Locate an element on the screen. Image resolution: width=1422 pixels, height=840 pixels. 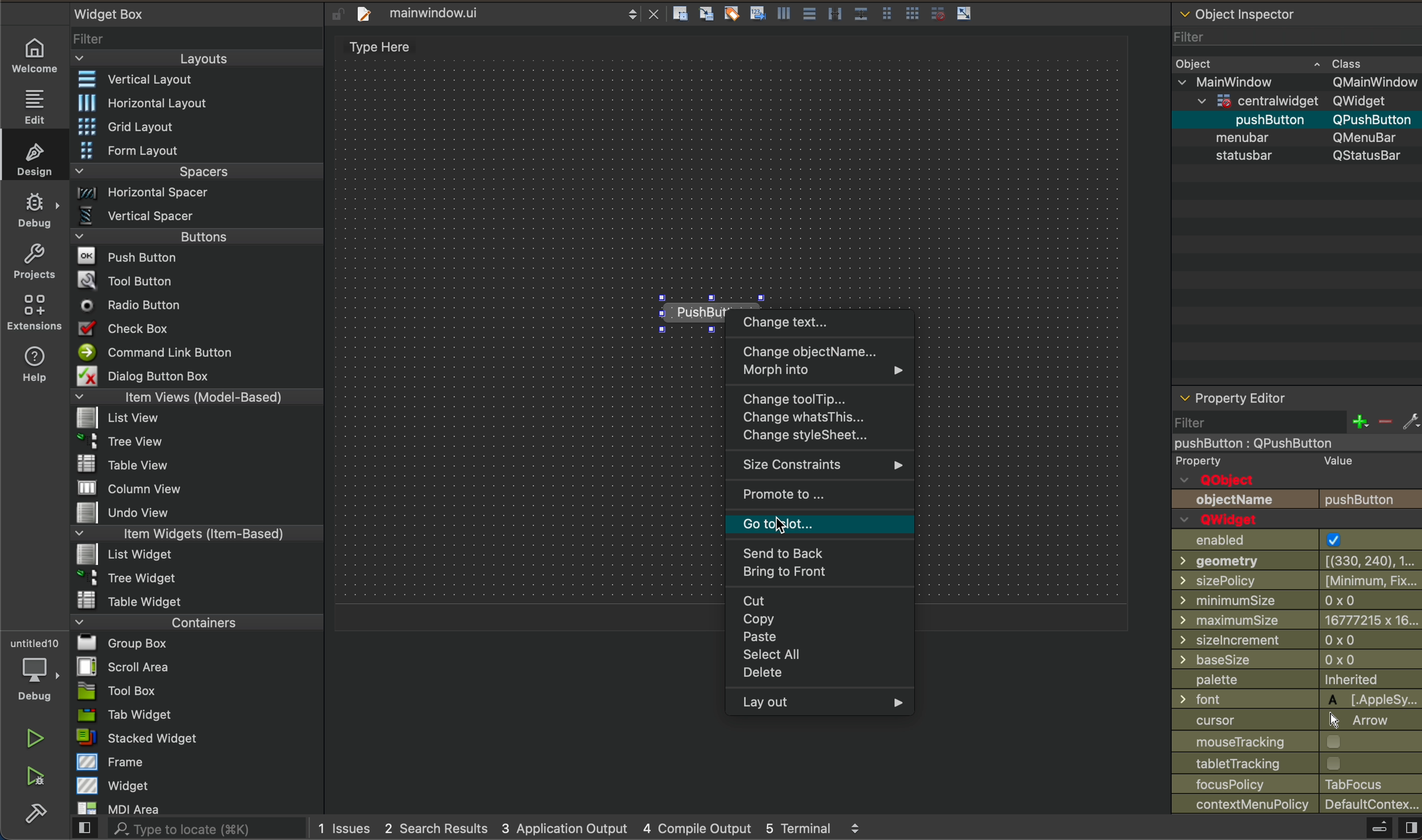
list widget is located at coordinates (192, 556).